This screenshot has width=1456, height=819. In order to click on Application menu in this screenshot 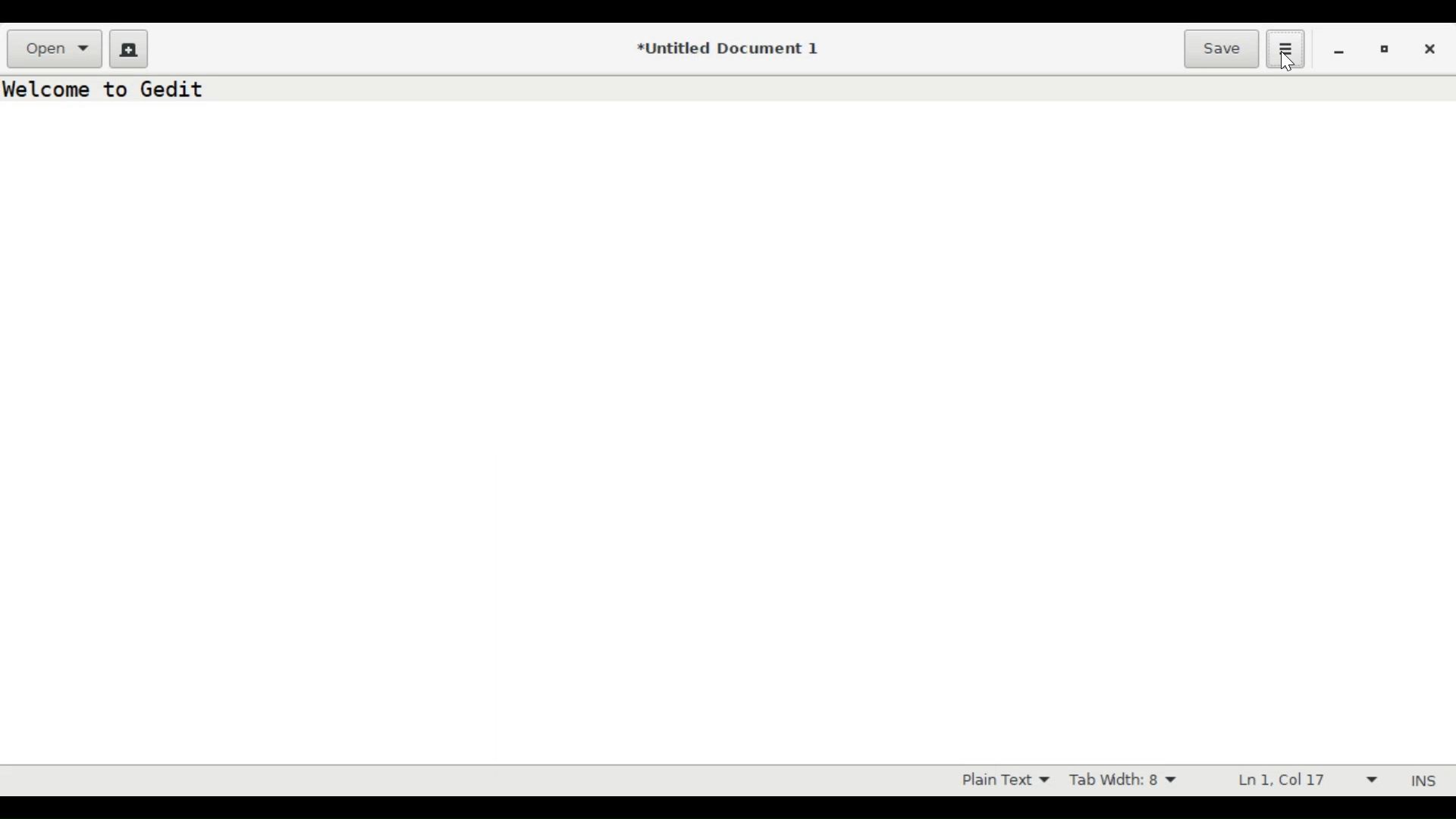, I will do `click(1286, 49)`.